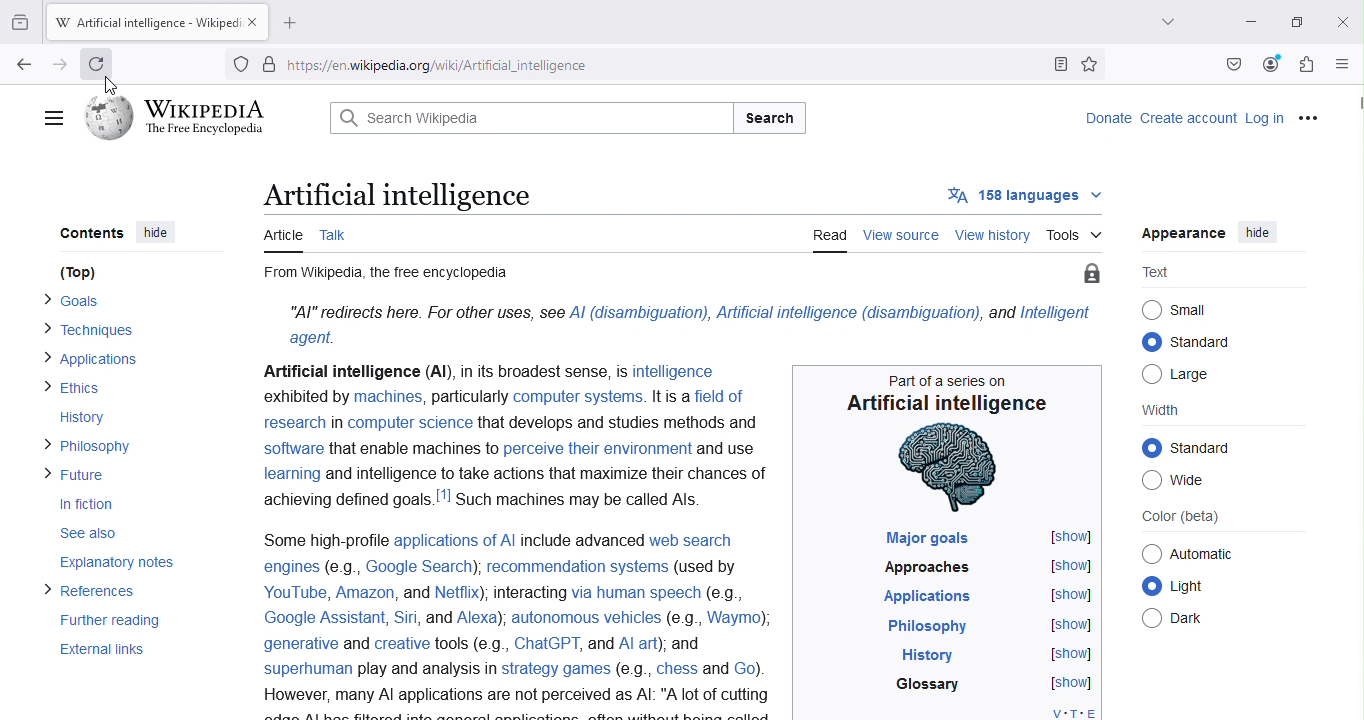 The height and width of the screenshot is (720, 1364). Describe the element at coordinates (287, 592) in the screenshot. I see `YouTube` at that location.